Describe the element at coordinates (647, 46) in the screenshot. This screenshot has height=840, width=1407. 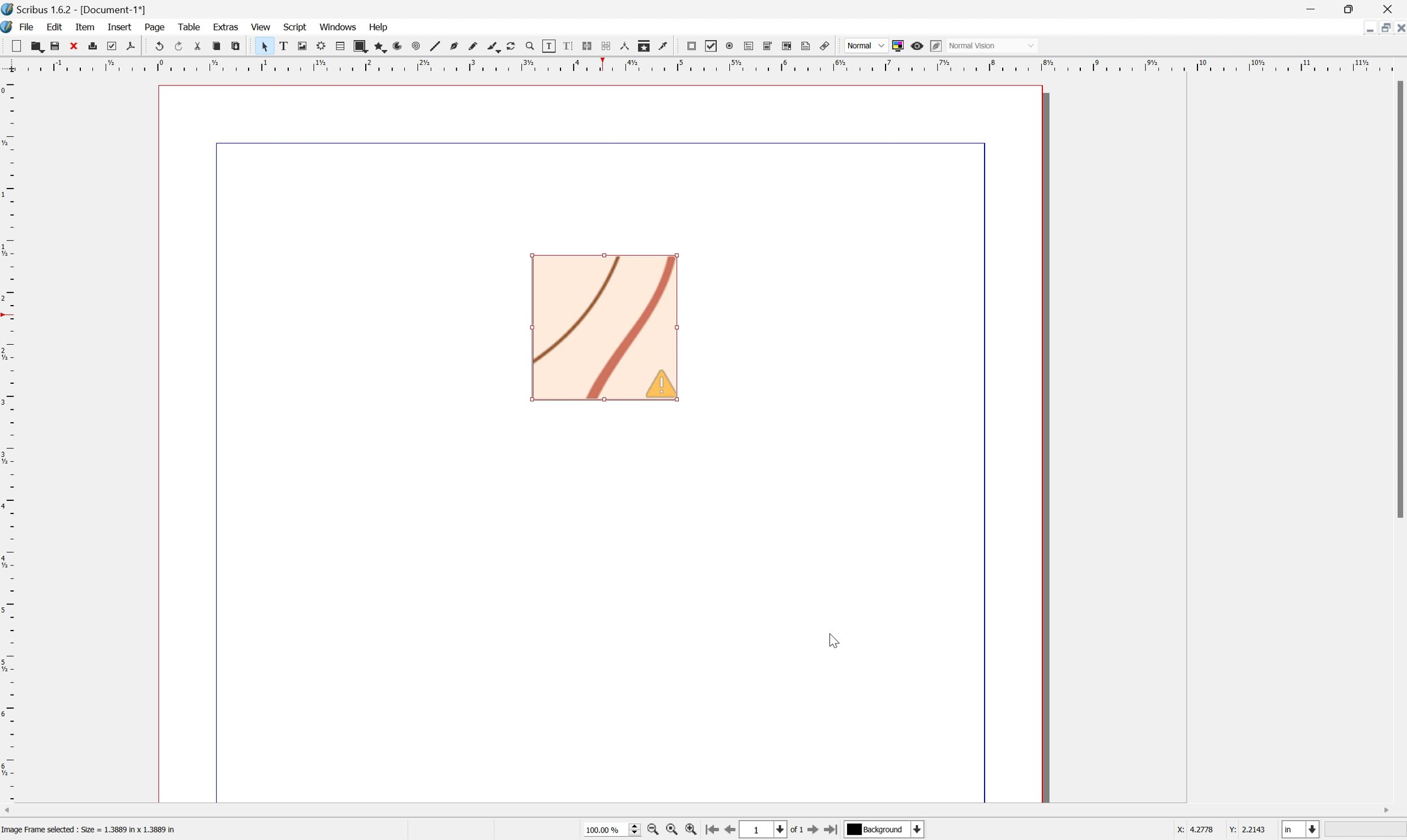
I see `Copy item properties` at that location.